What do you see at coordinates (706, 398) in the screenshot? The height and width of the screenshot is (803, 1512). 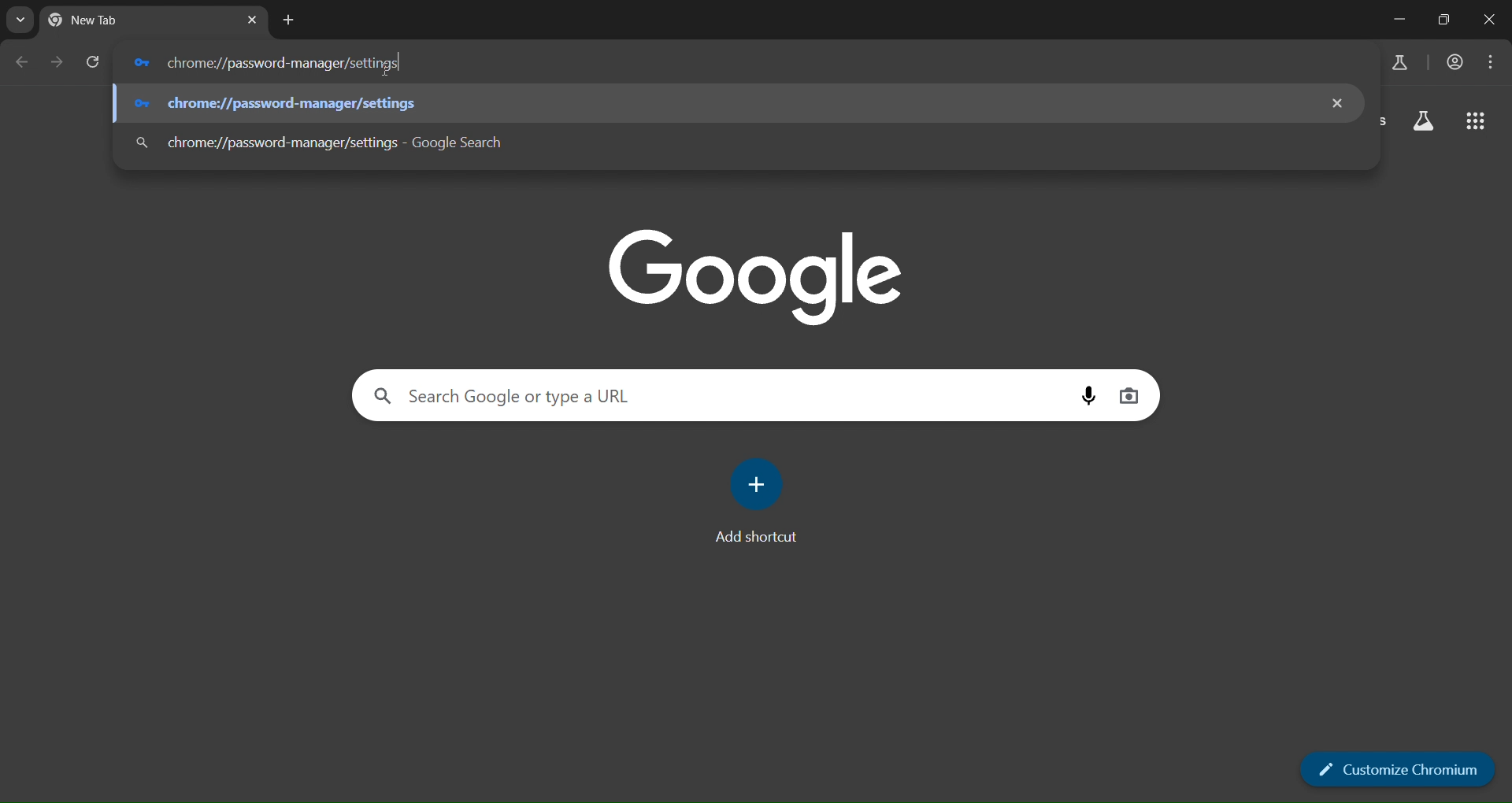 I see `search panel` at bounding box center [706, 398].